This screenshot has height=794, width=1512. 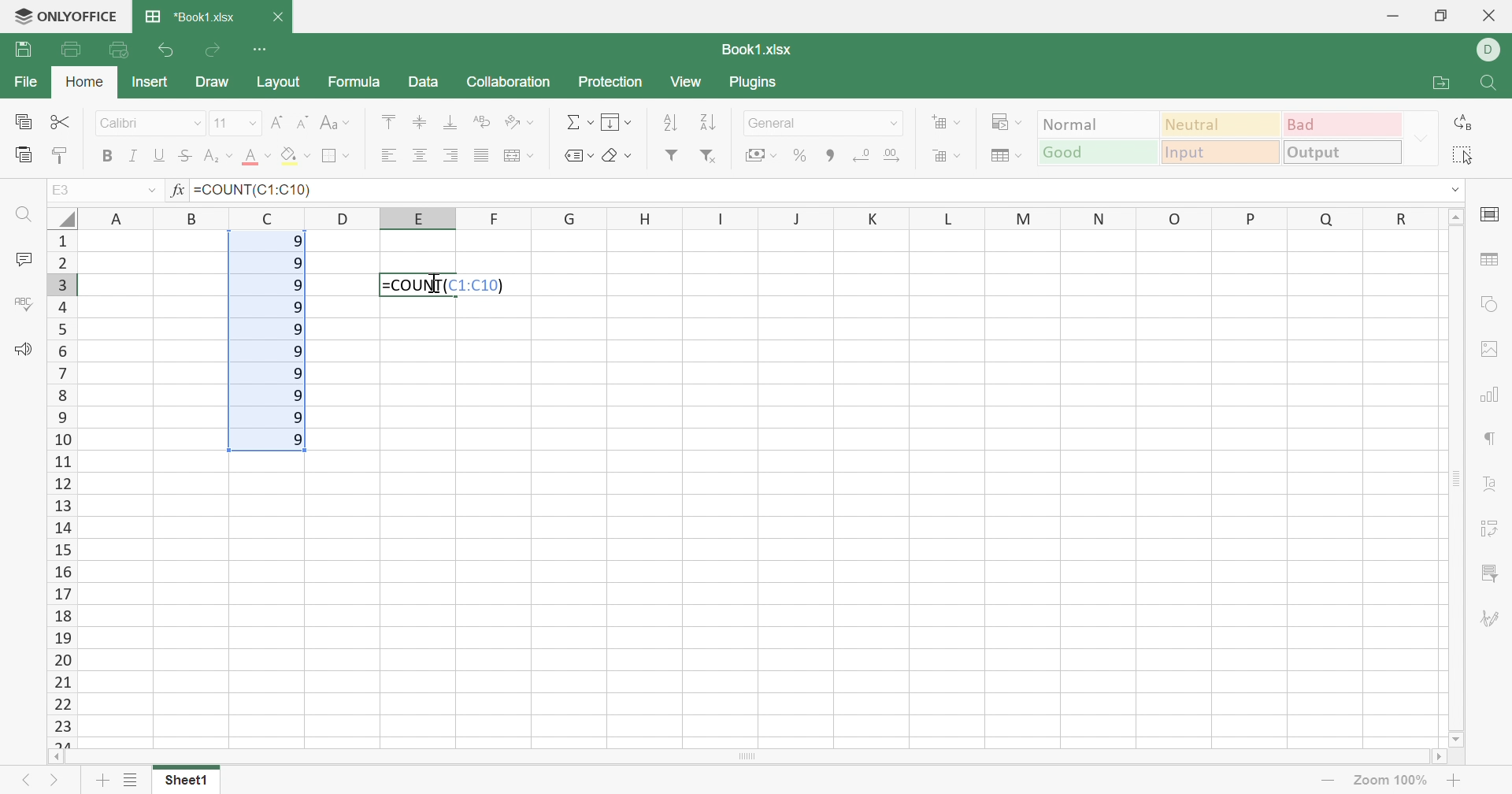 I want to click on Format table as template, so click(x=1006, y=155).